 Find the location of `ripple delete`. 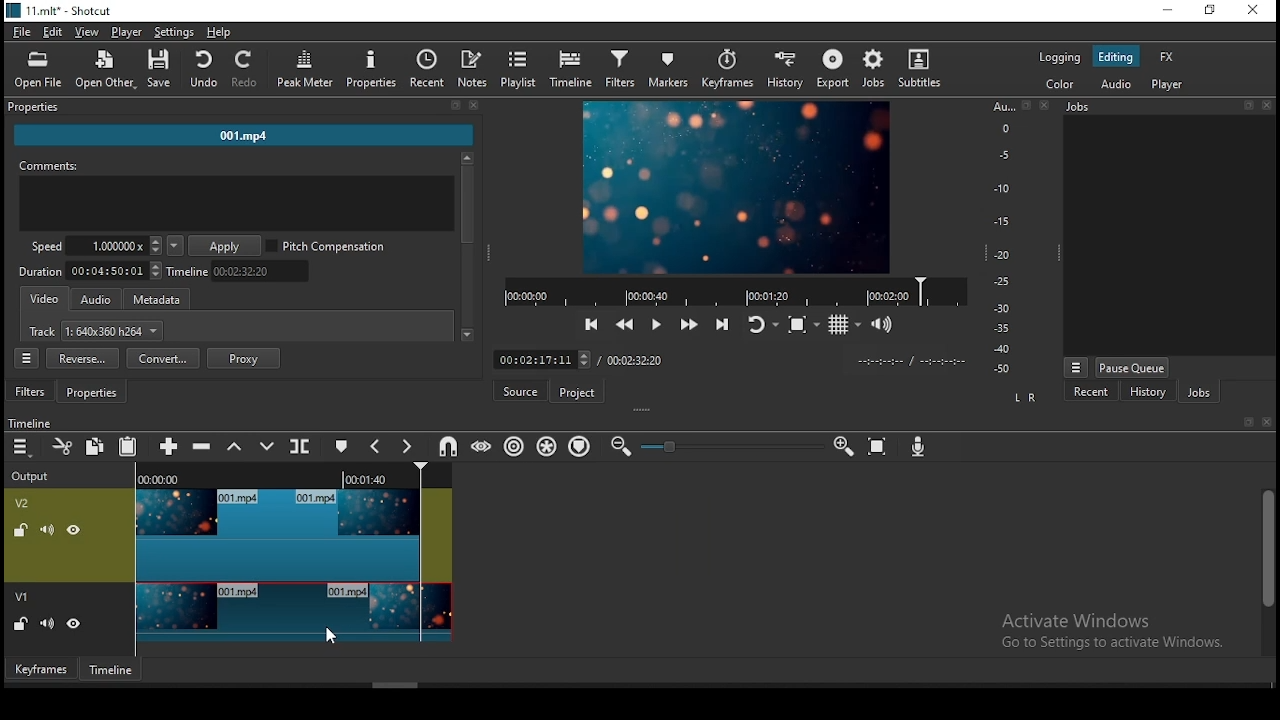

ripple delete is located at coordinates (205, 445).